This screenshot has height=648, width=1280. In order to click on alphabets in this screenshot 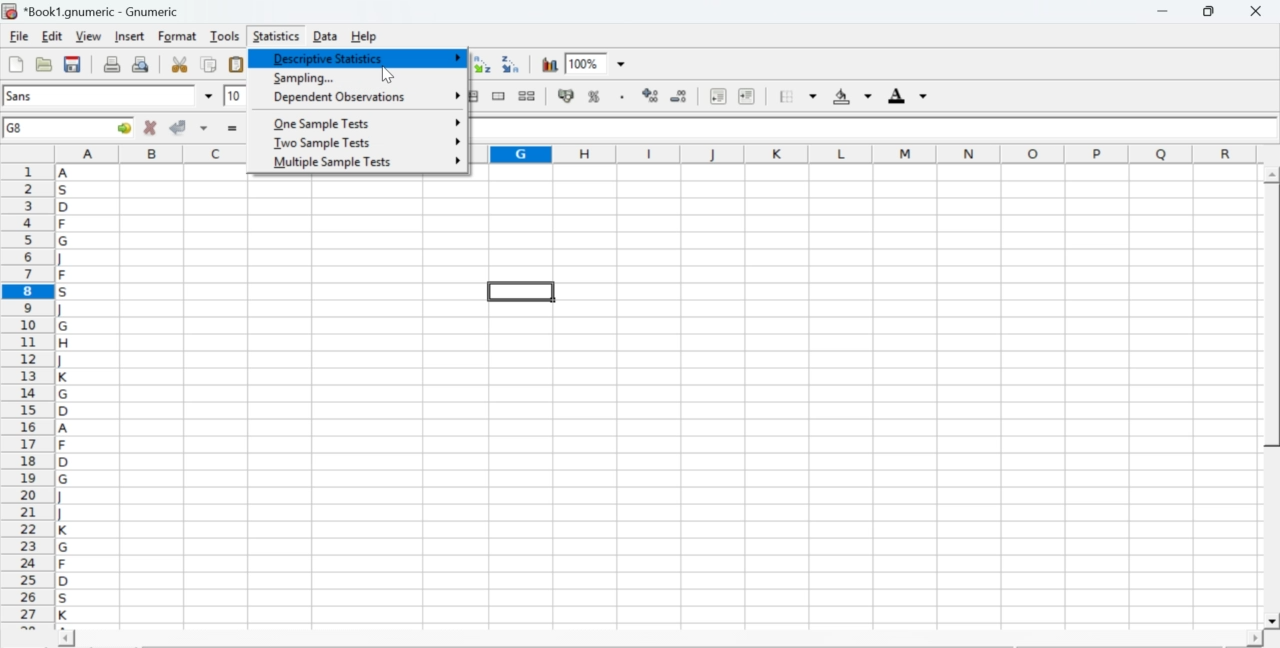, I will do `click(65, 393)`.